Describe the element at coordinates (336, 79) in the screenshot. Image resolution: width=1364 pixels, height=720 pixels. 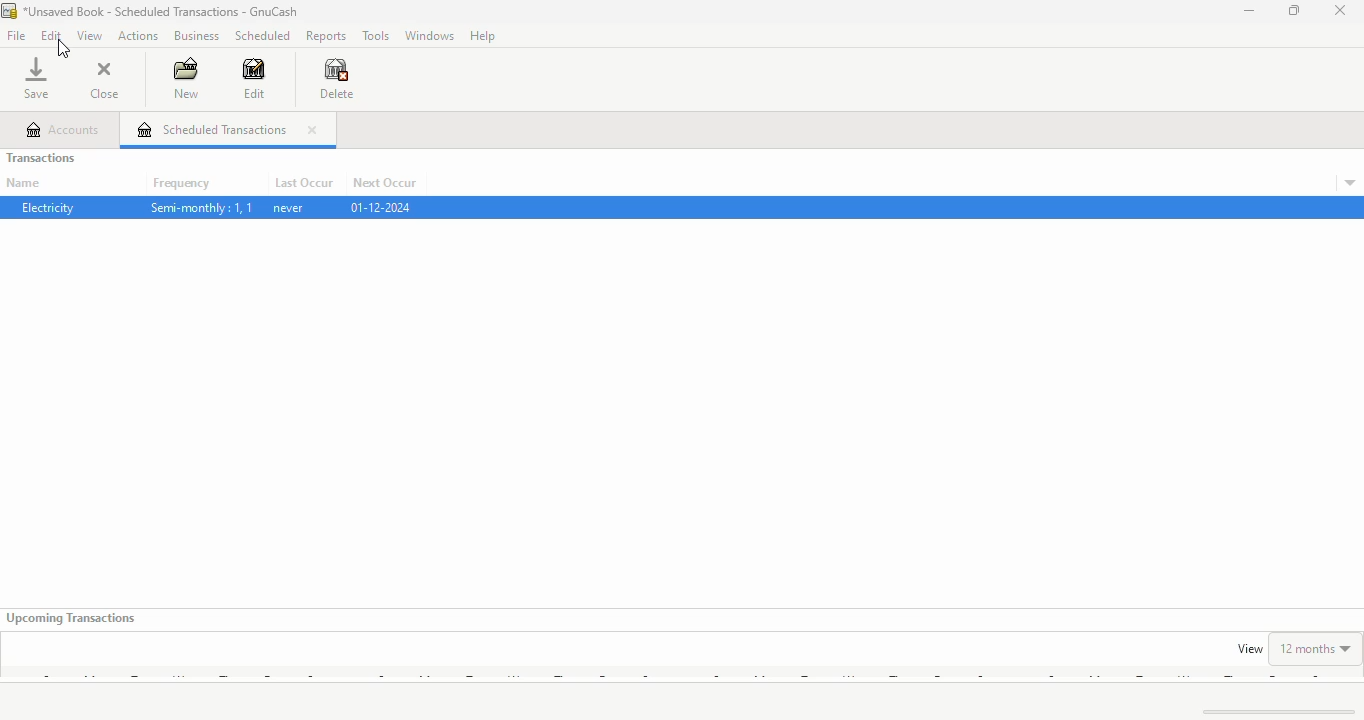
I see `delete` at that location.